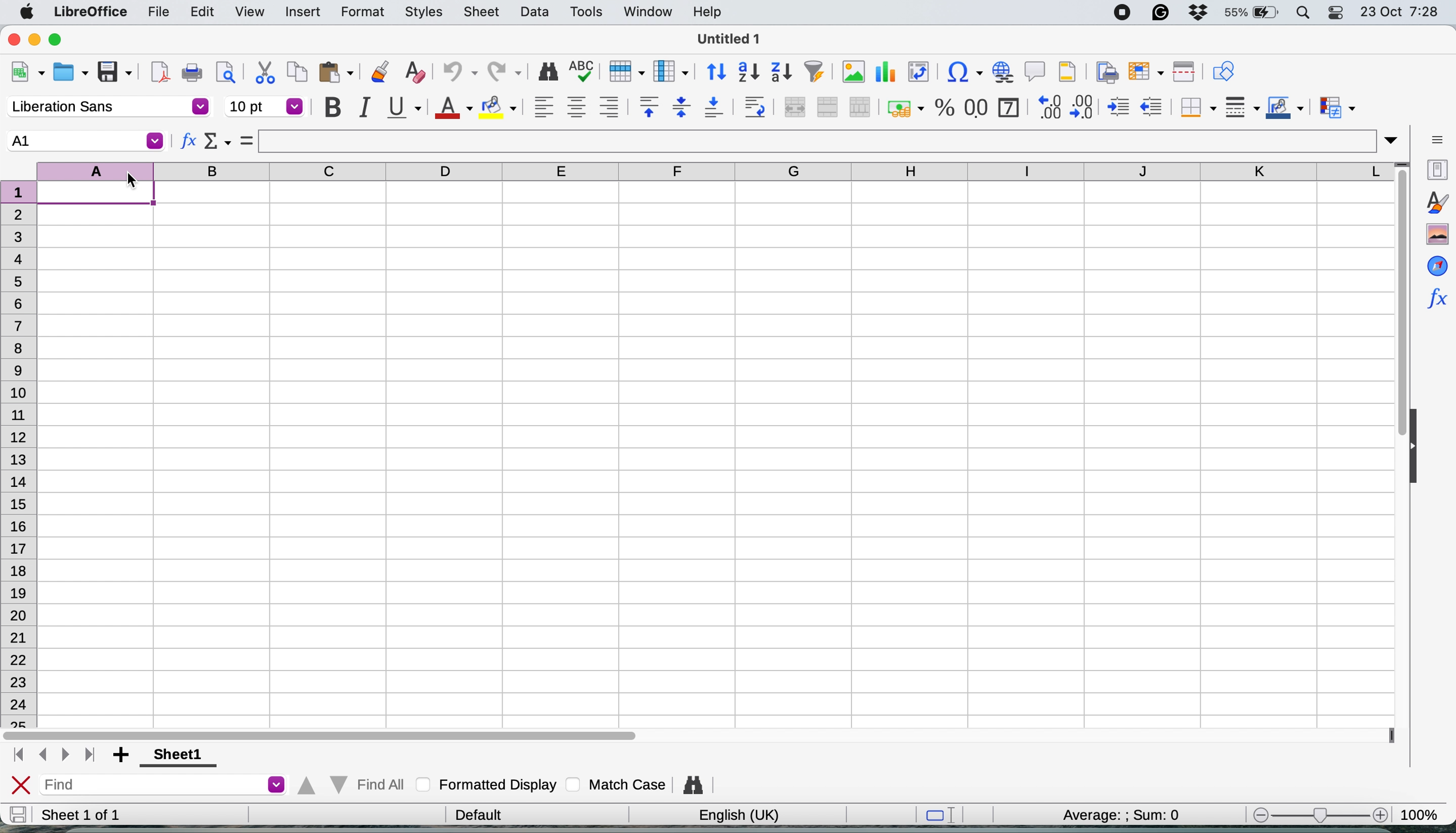 Image resolution: width=1456 pixels, height=833 pixels. Describe the element at coordinates (1105, 72) in the screenshot. I see `define print area` at that location.